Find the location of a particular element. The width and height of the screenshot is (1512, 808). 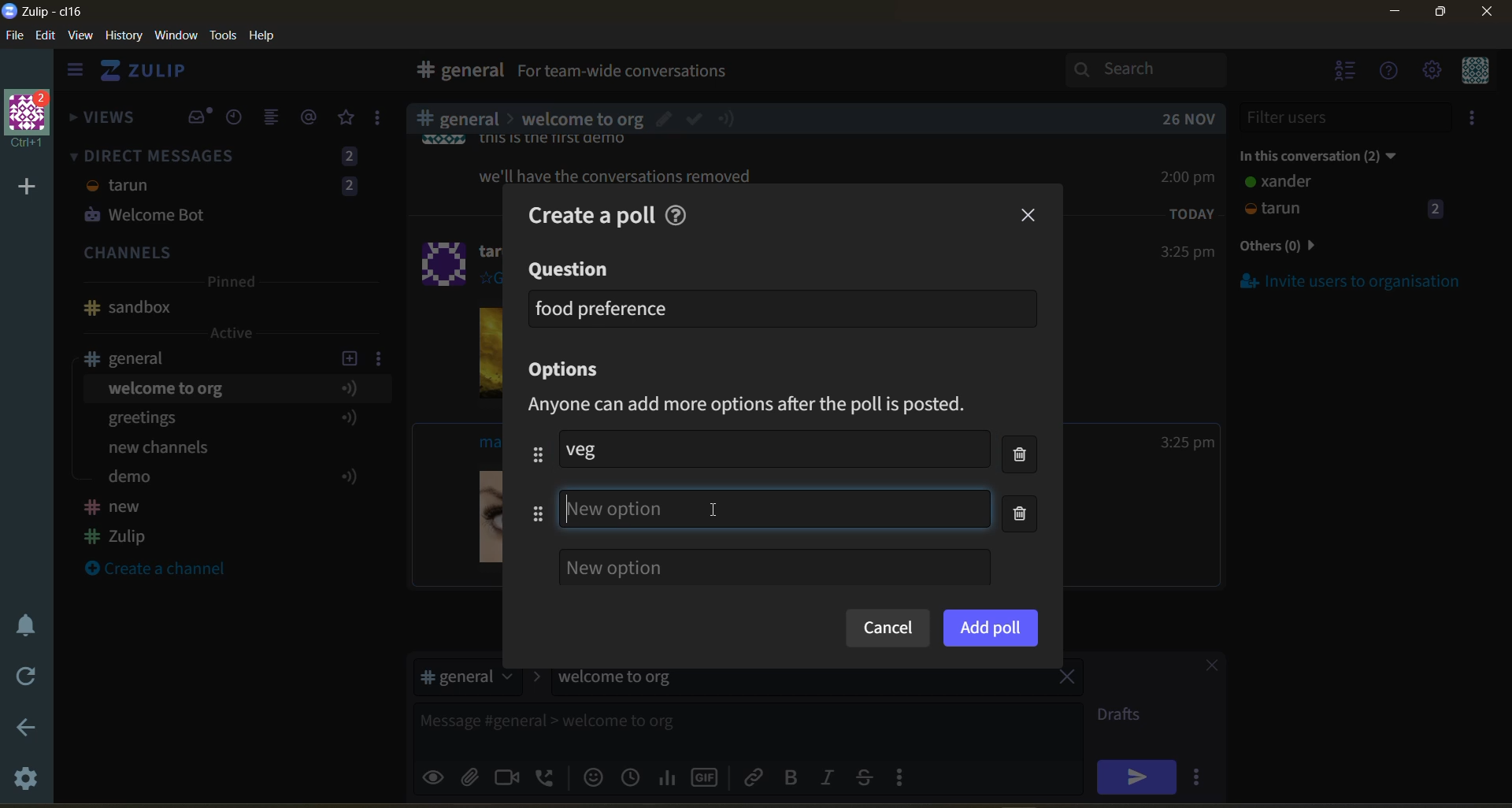

3:25 pm is located at coordinates (1186, 253).